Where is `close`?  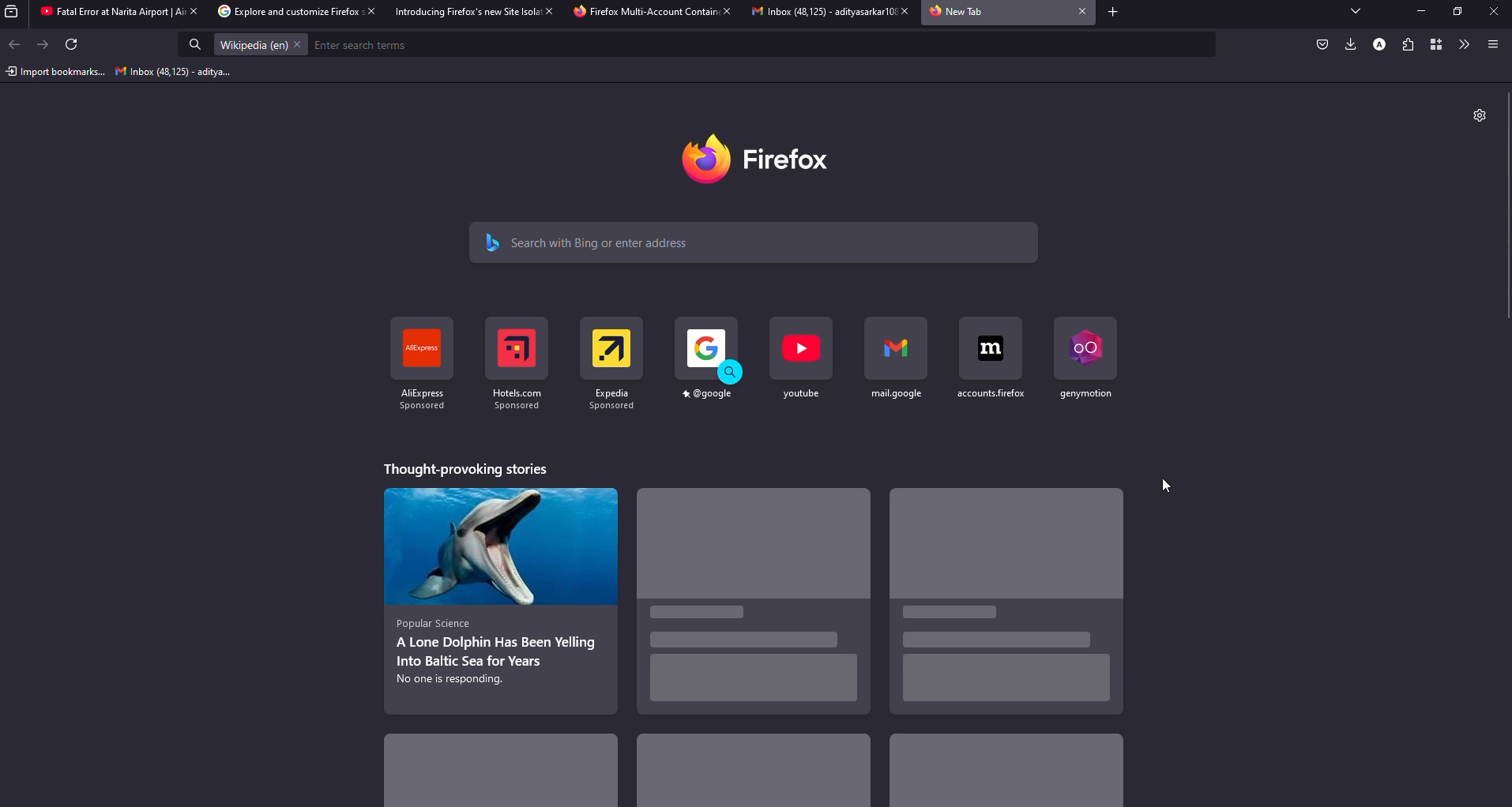 close is located at coordinates (299, 44).